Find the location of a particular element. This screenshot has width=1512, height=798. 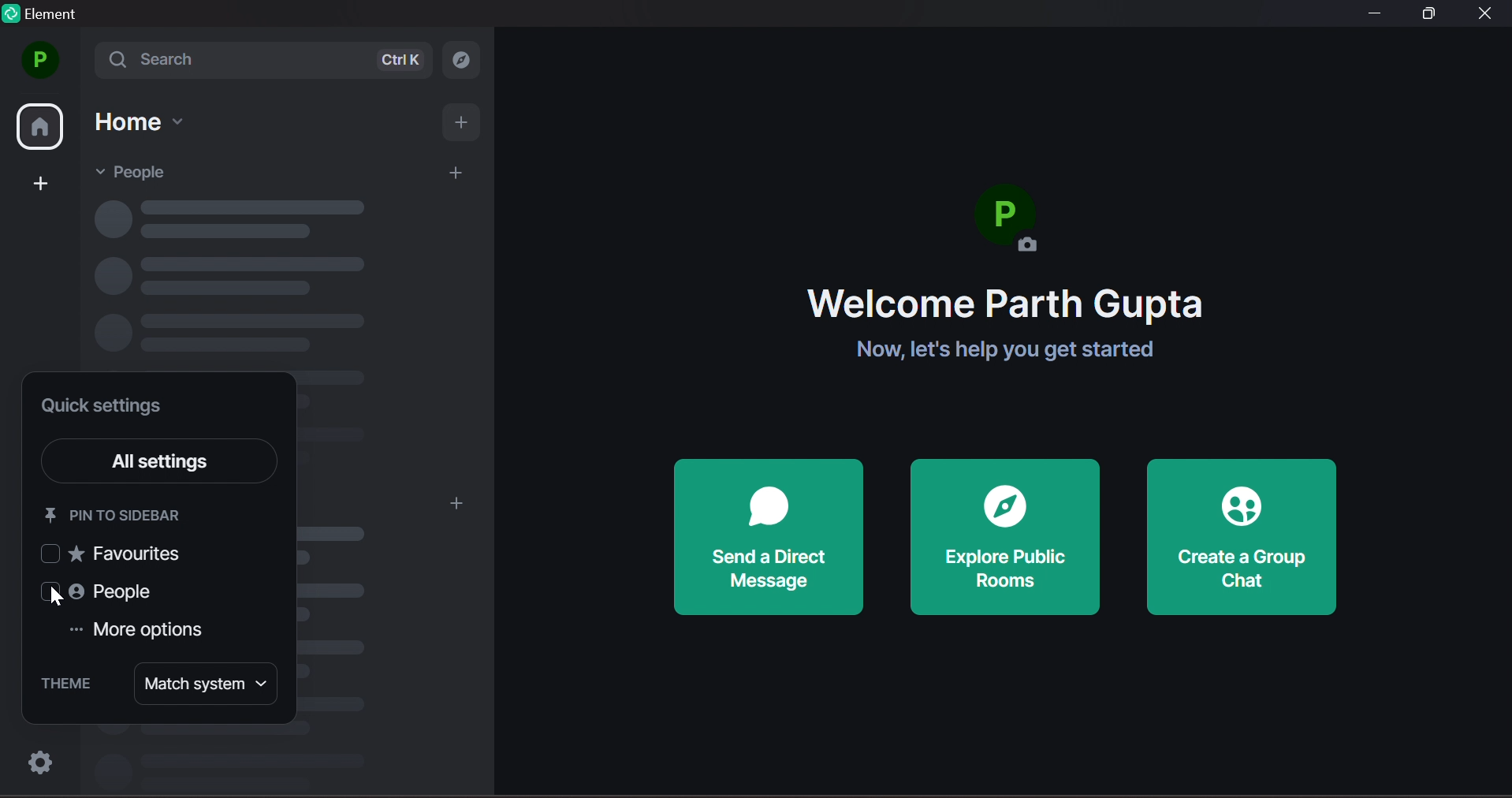

more options is located at coordinates (150, 632).